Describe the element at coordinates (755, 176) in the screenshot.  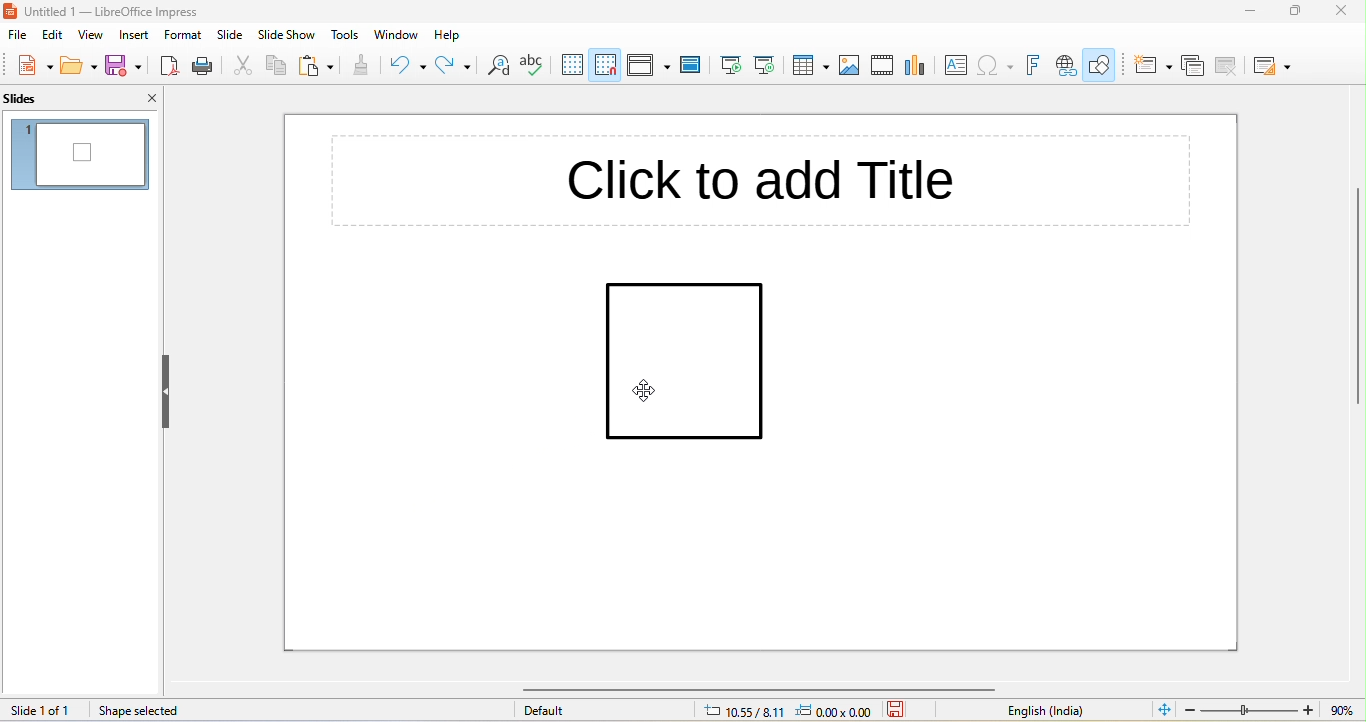
I see `click to add title` at that location.